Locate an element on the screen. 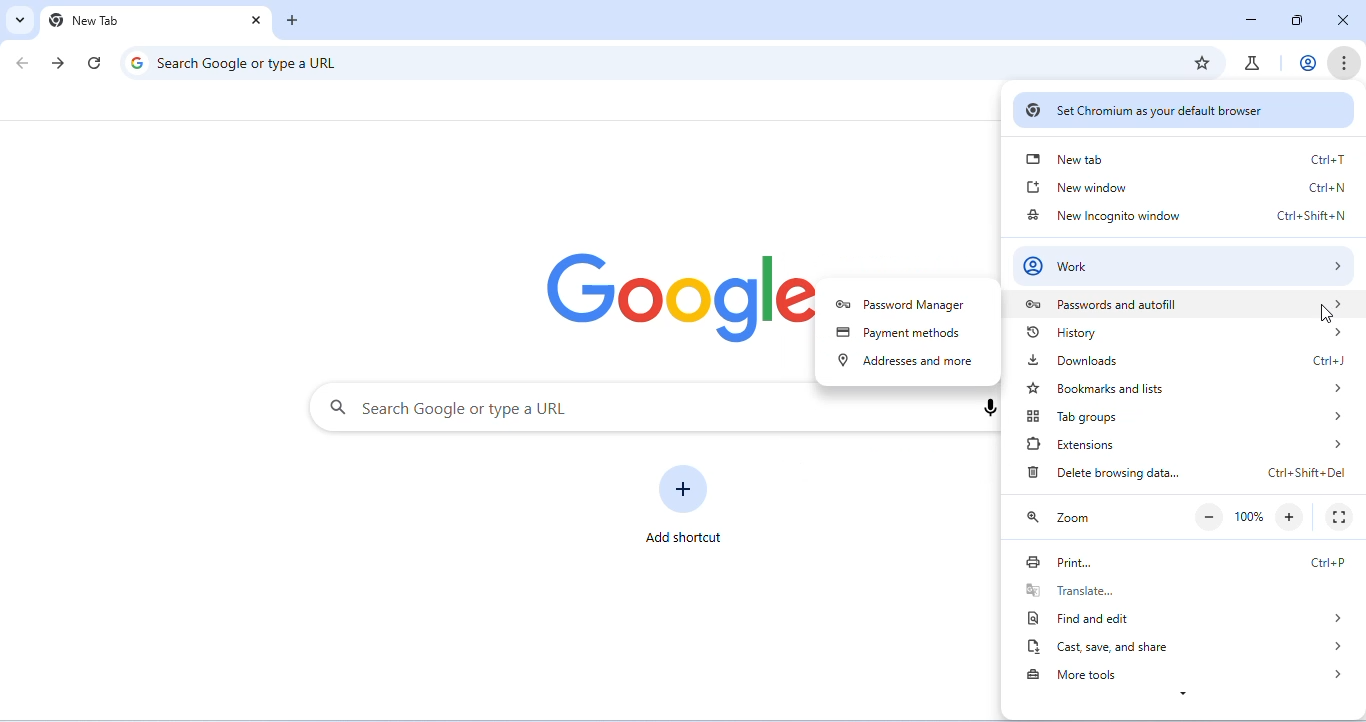 The height and width of the screenshot is (722, 1366). refresh is located at coordinates (94, 62).